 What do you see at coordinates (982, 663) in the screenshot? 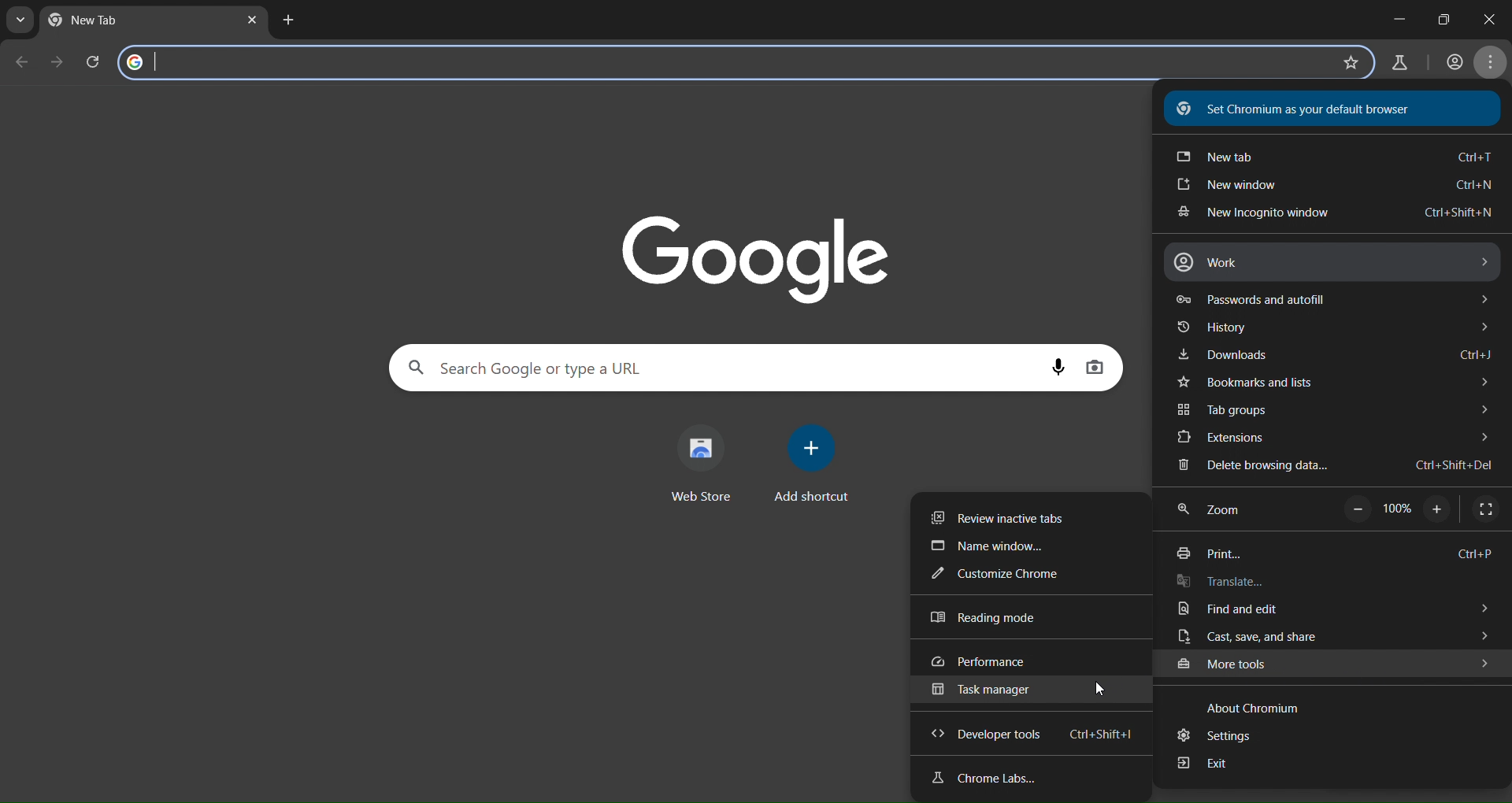
I see `performance` at bounding box center [982, 663].